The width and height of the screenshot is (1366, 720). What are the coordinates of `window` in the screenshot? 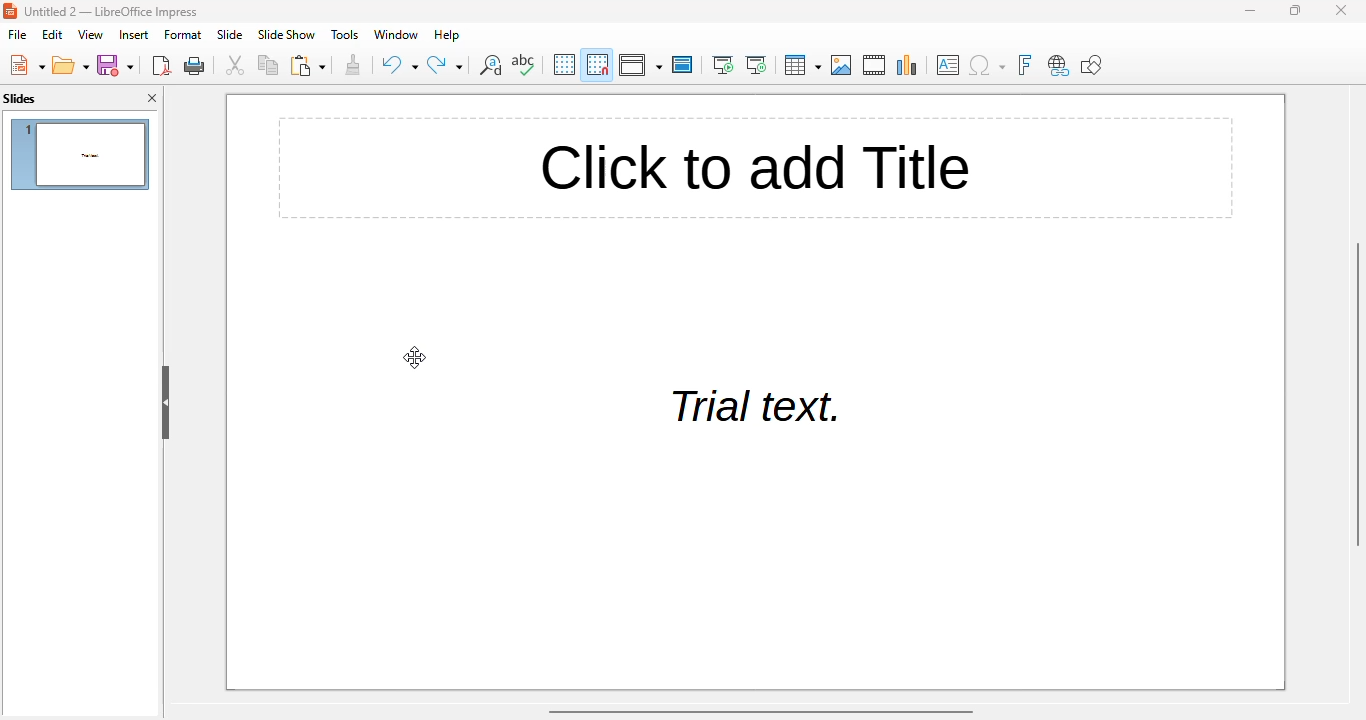 It's located at (395, 34).